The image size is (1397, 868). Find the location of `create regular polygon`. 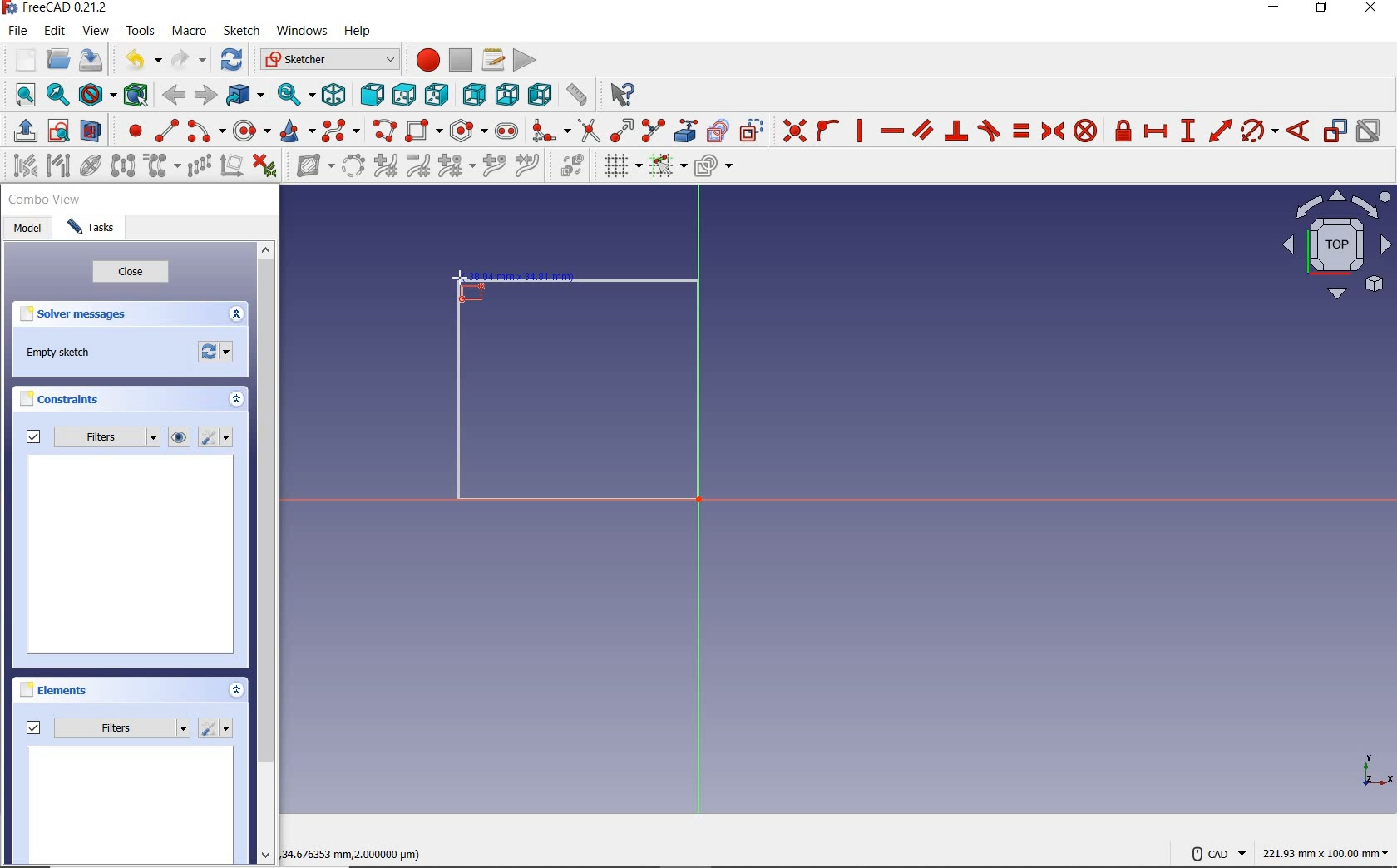

create regular polygon is located at coordinates (467, 131).